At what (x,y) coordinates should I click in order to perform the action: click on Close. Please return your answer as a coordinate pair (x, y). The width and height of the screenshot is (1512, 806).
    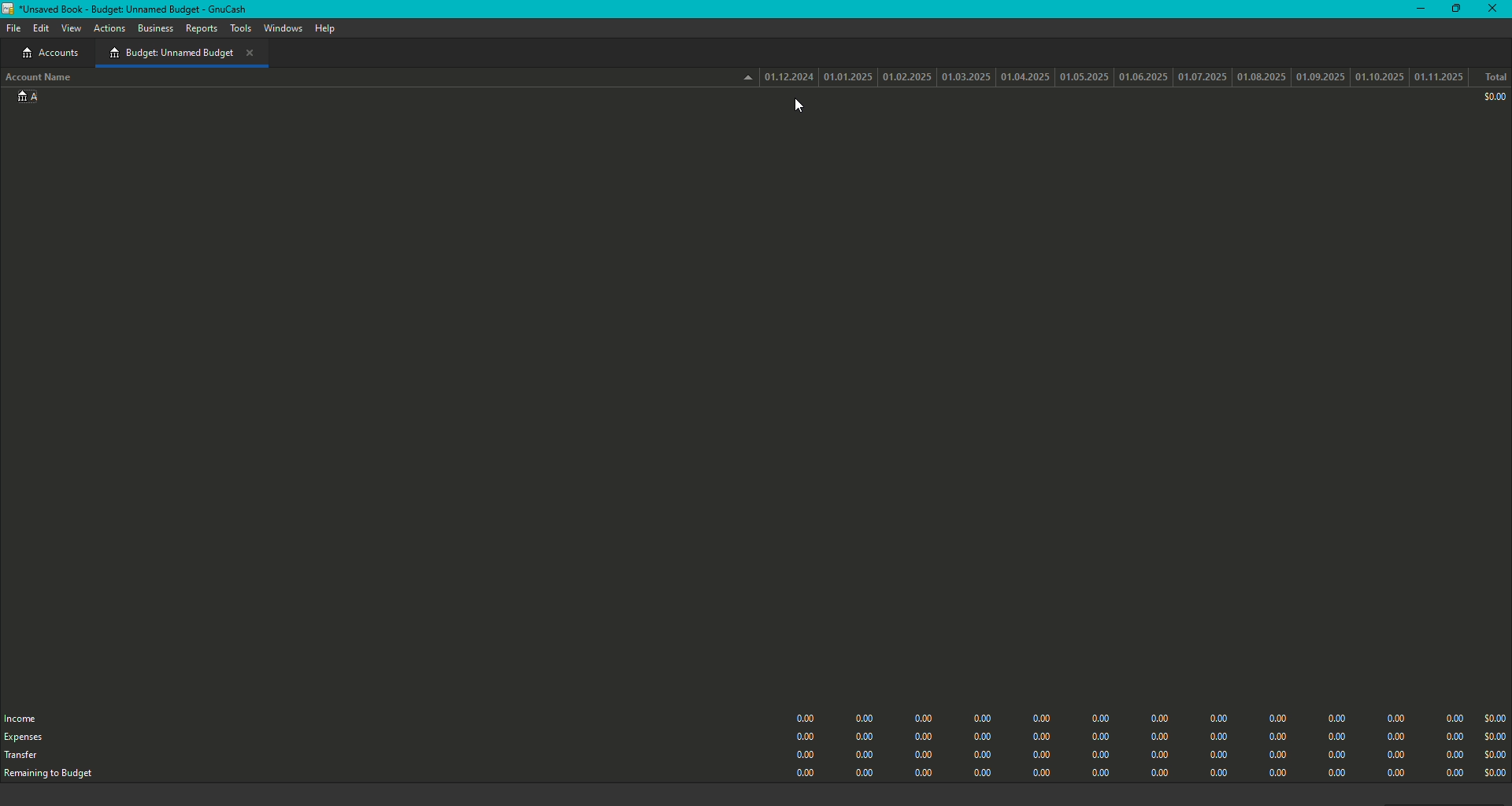
    Looking at the image, I should click on (1495, 9).